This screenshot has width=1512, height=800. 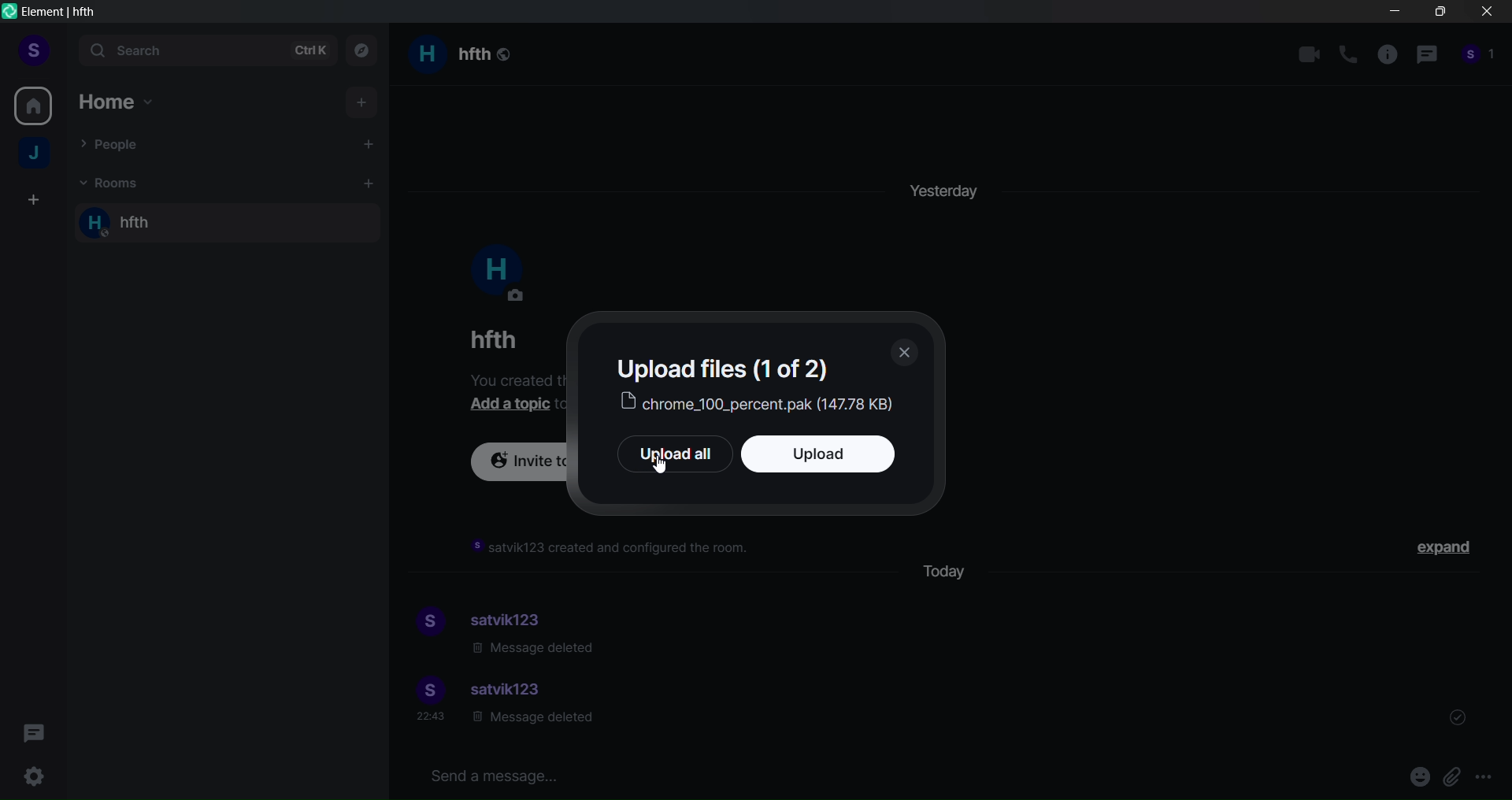 What do you see at coordinates (517, 465) in the screenshot?
I see `invite to this room` at bounding box center [517, 465].